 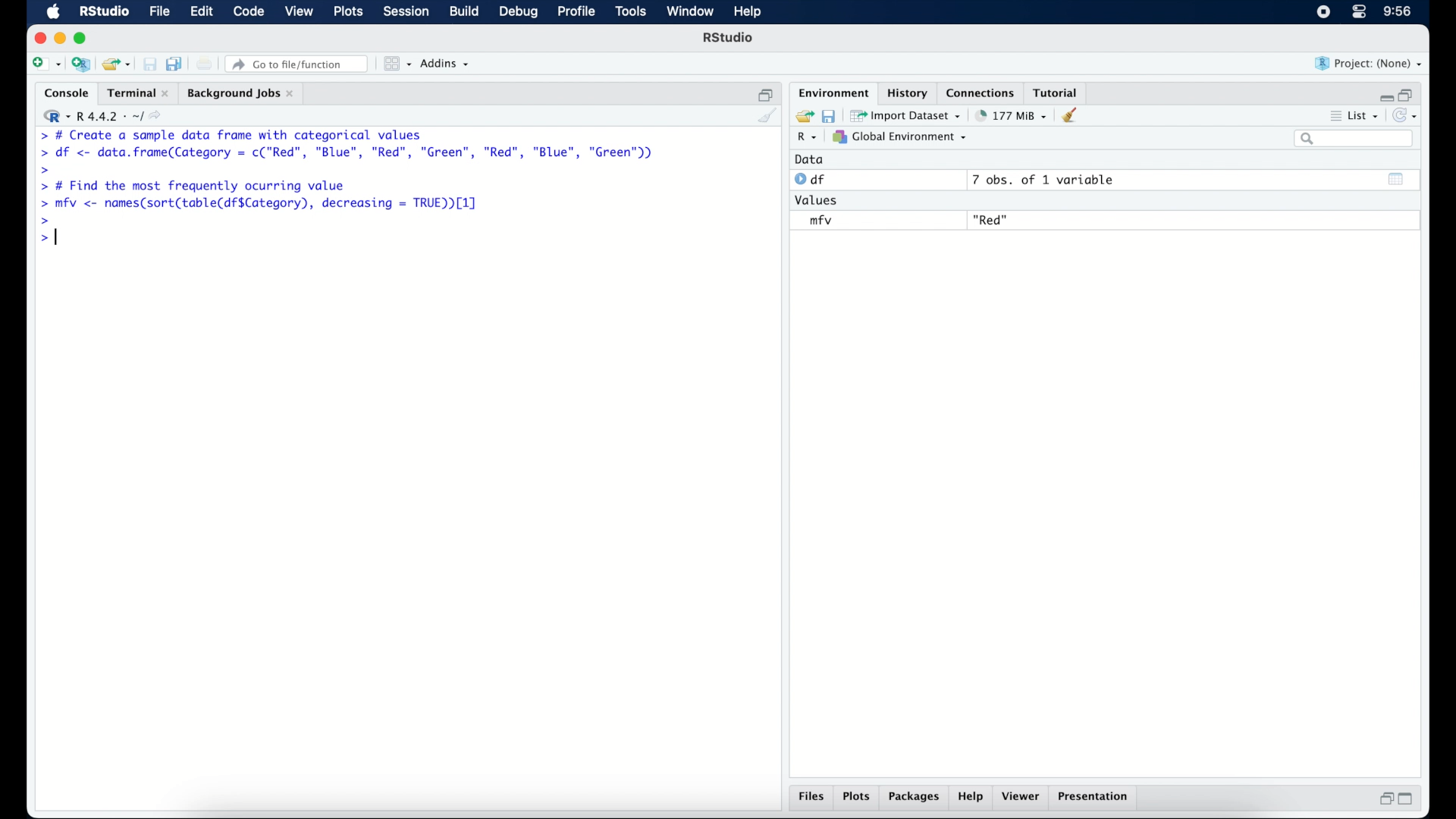 What do you see at coordinates (252, 134) in the screenshot?
I see `> # Create a sample data frame with categorical values|` at bounding box center [252, 134].